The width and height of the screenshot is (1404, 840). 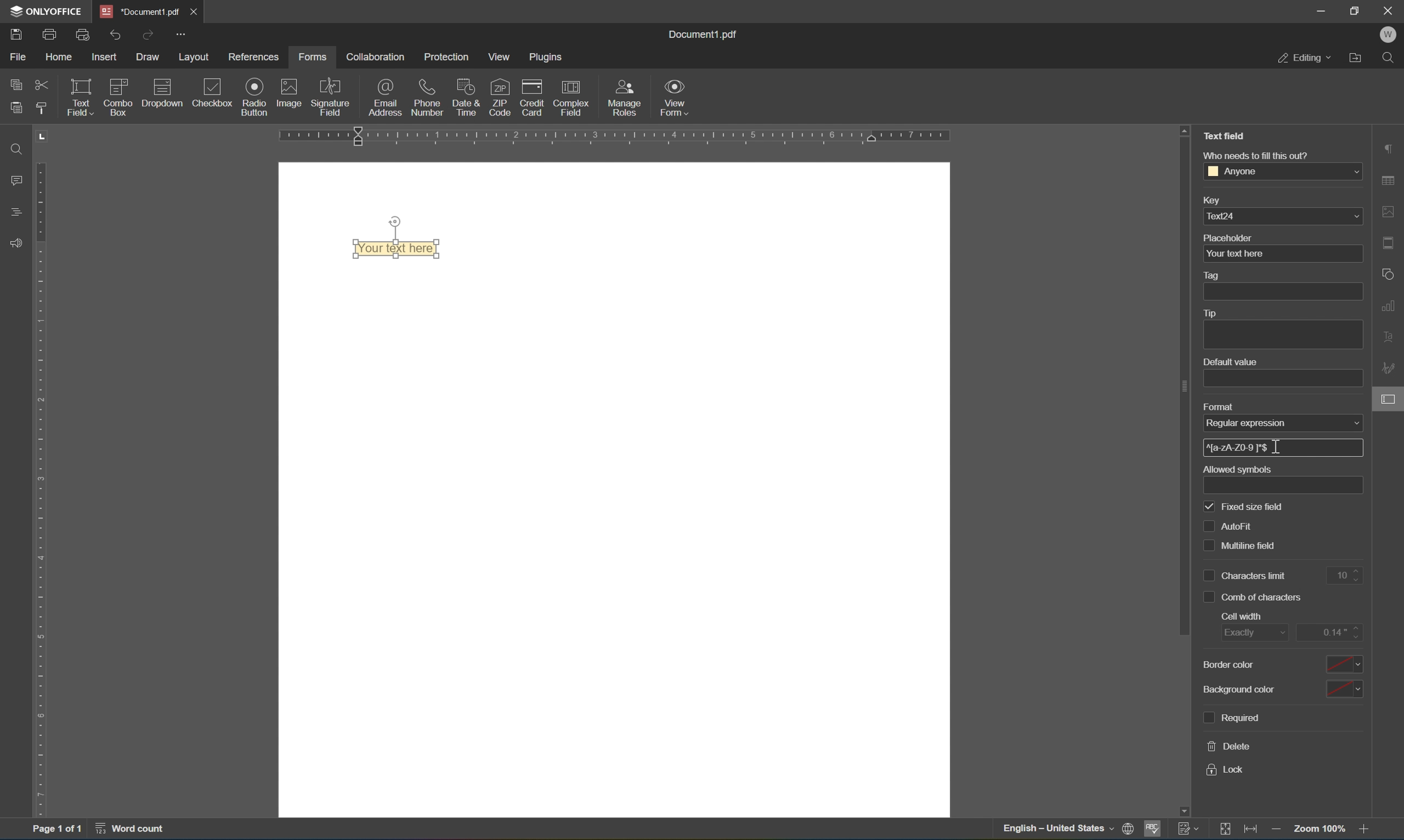 What do you see at coordinates (1390, 335) in the screenshot?
I see `text art settings` at bounding box center [1390, 335].